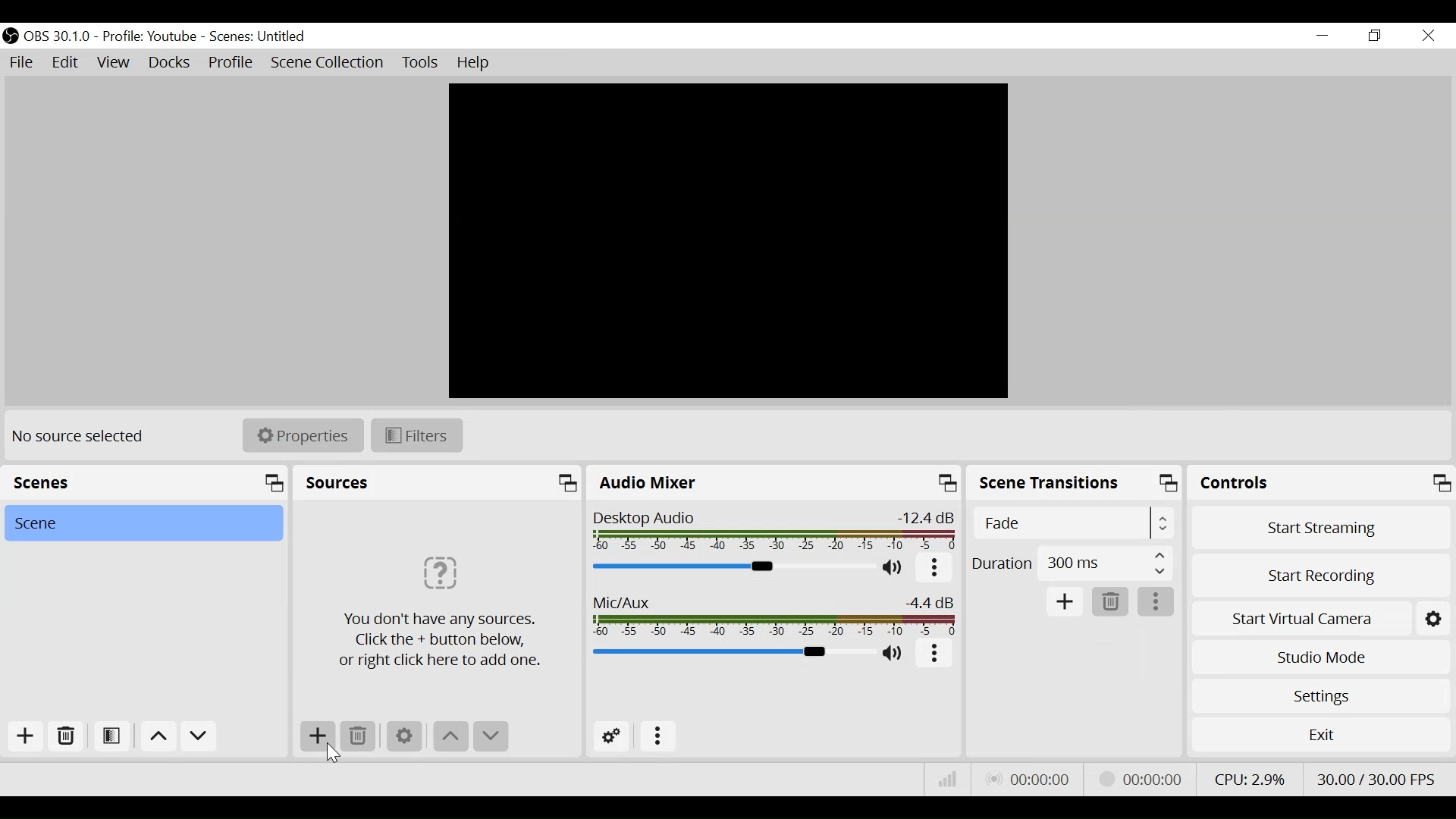 The height and width of the screenshot is (819, 1456). I want to click on Scenes, so click(144, 483).